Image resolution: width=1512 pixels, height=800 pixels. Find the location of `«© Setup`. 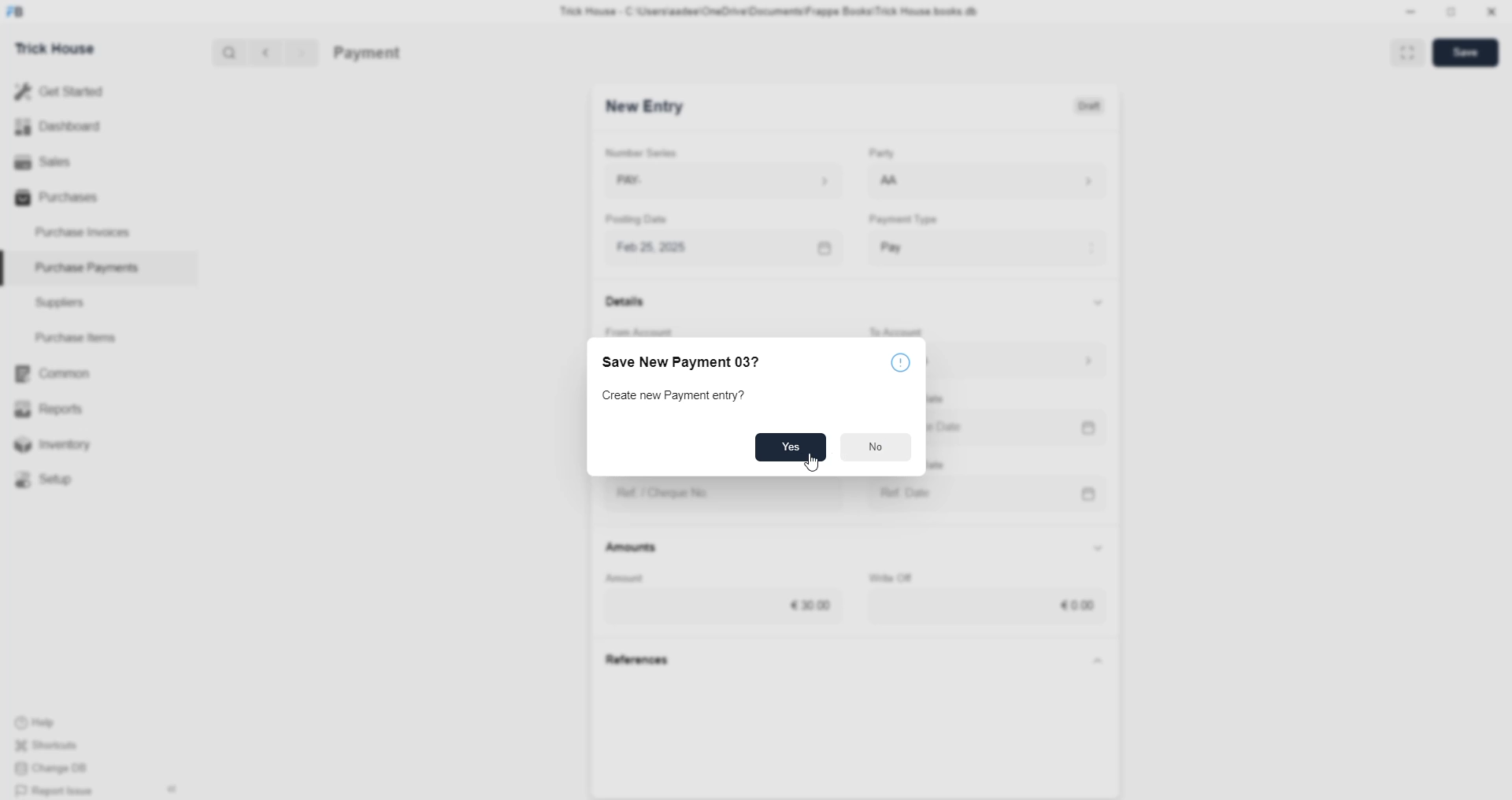

«© Setup is located at coordinates (49, 480).